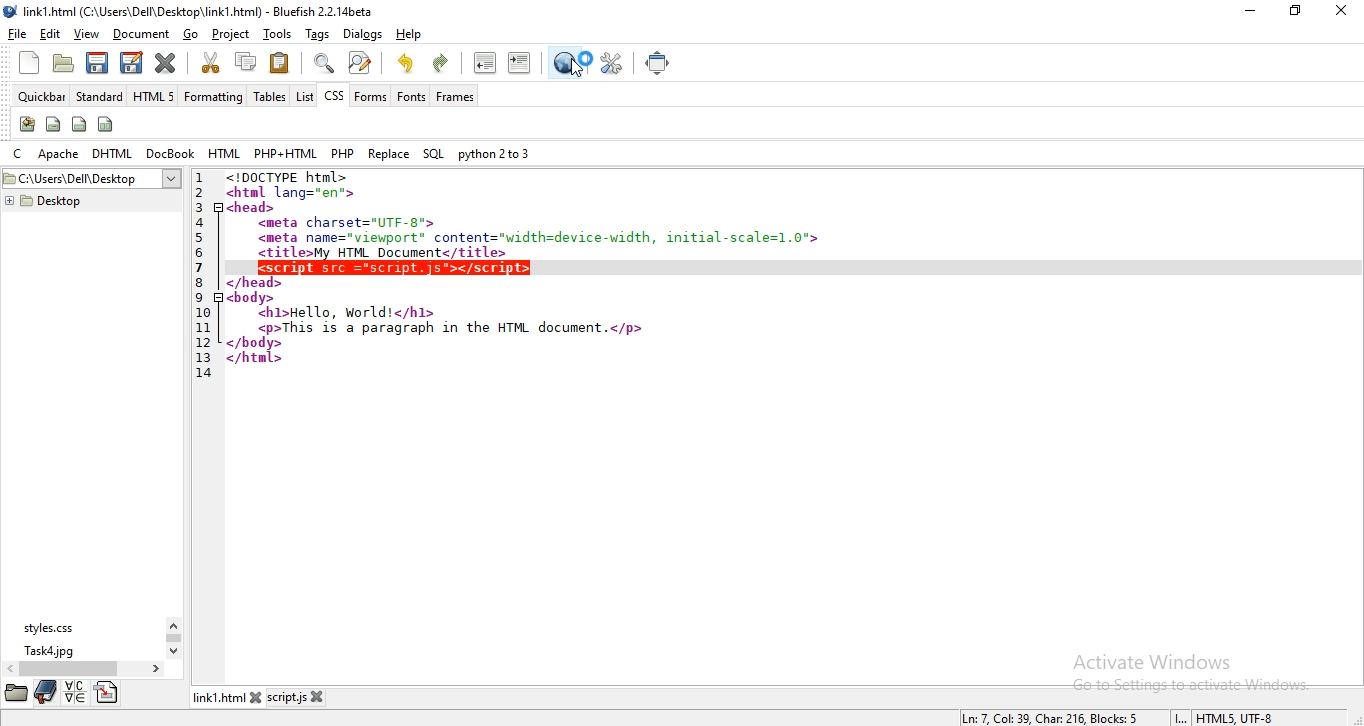 The width and height of the screenshot is (1364, 726). Describe the element at coordinates (519, 63) in the screenshot. I see `indent ` at that location.